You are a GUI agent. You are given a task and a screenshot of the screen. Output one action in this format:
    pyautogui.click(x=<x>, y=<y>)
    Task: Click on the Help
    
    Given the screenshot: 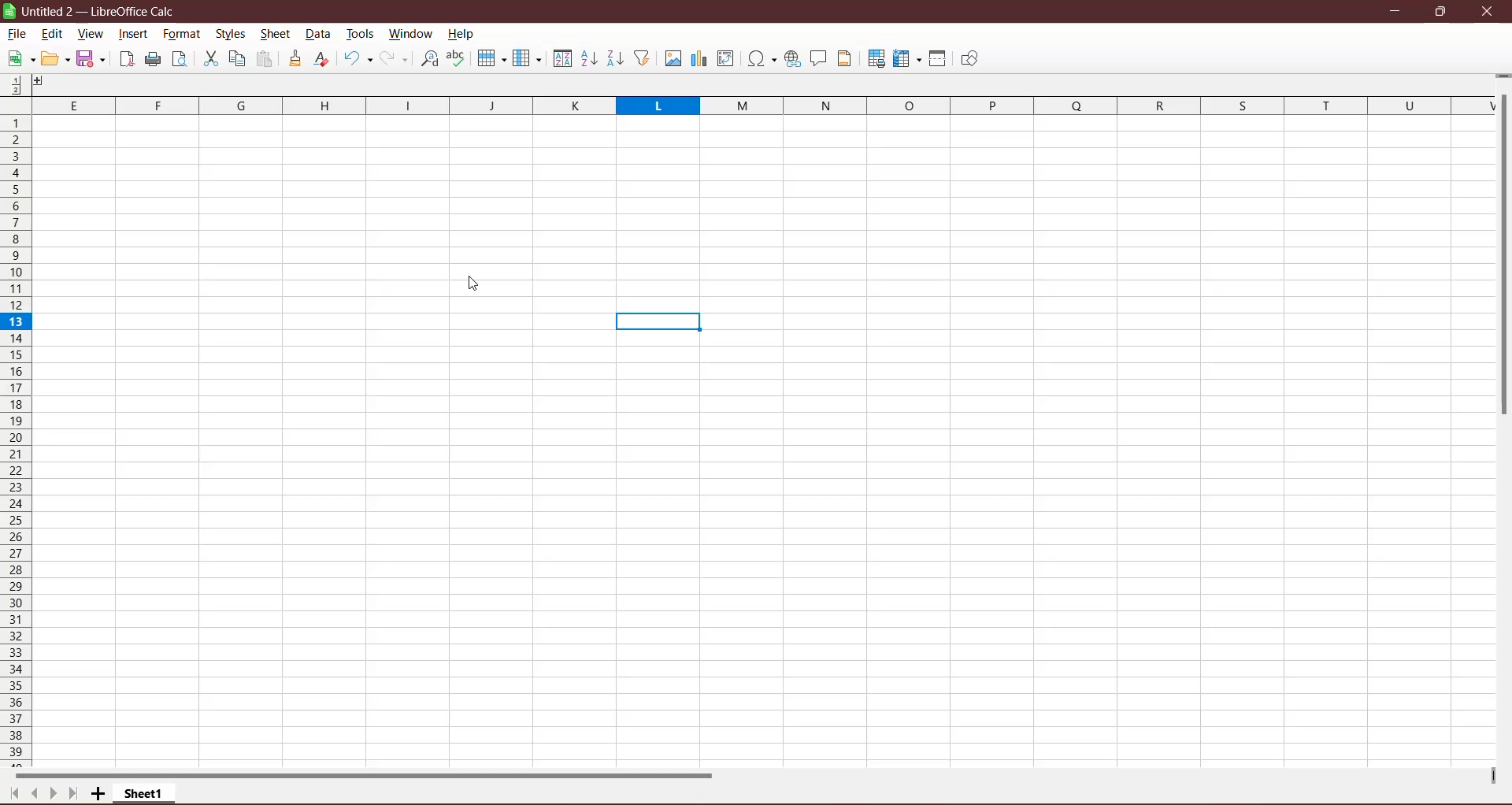 What is the action you would take?
    pyautogui.click(x=461, y=35)
    